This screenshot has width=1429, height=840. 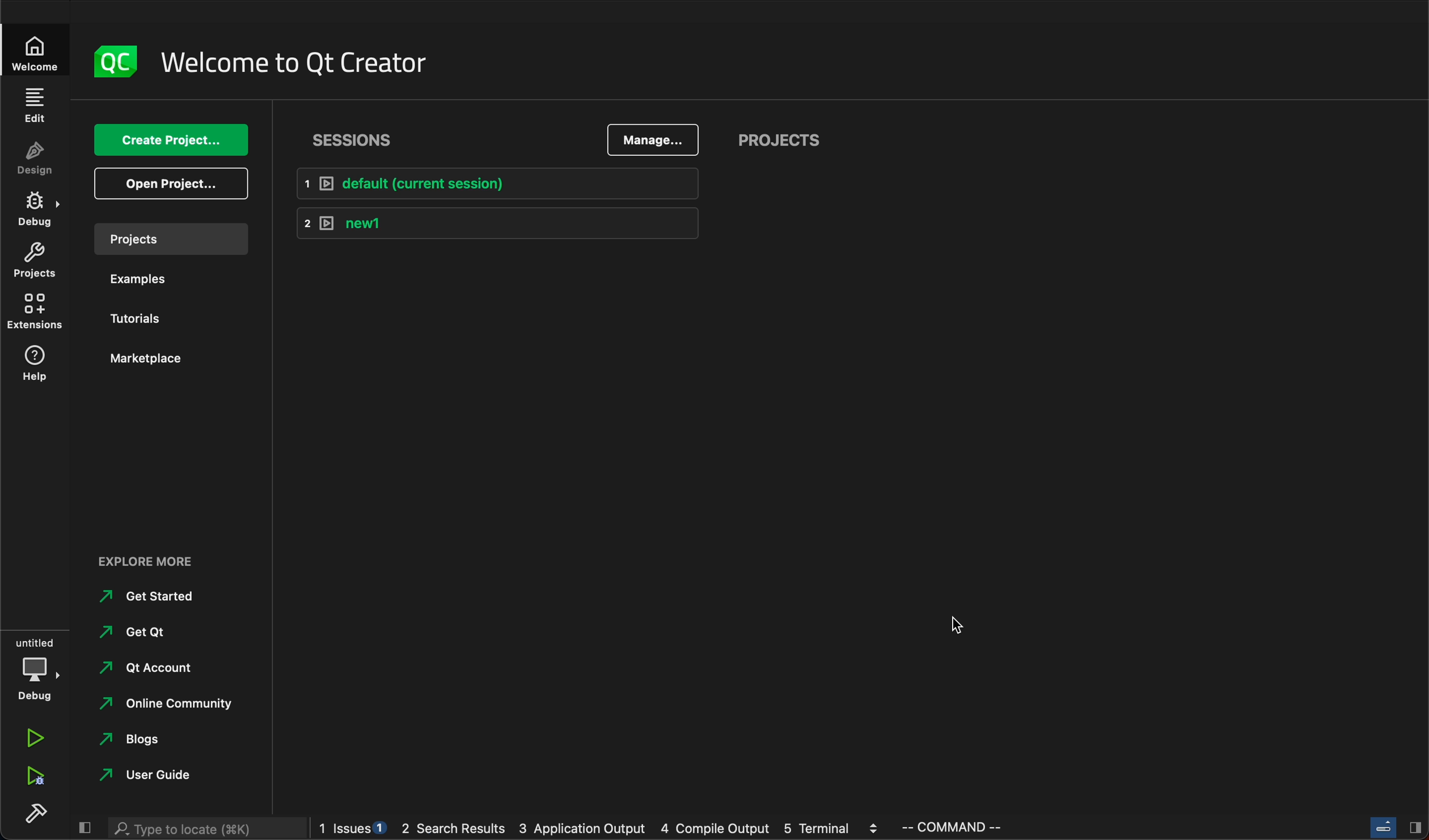 I want to click on marketplace, so click(x=150, y=359).